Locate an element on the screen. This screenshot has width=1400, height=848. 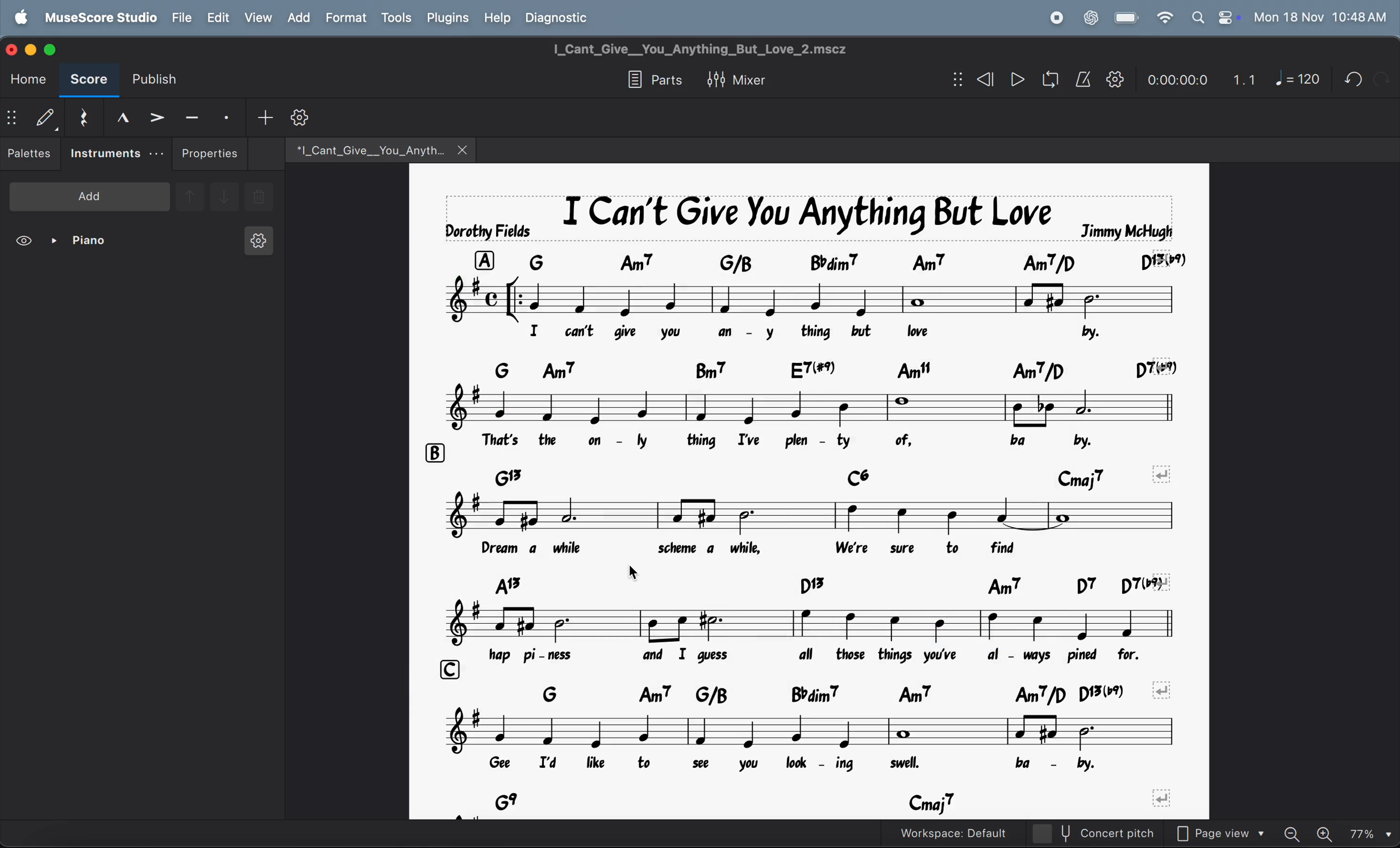
tools is located at coordinates (396, 19).